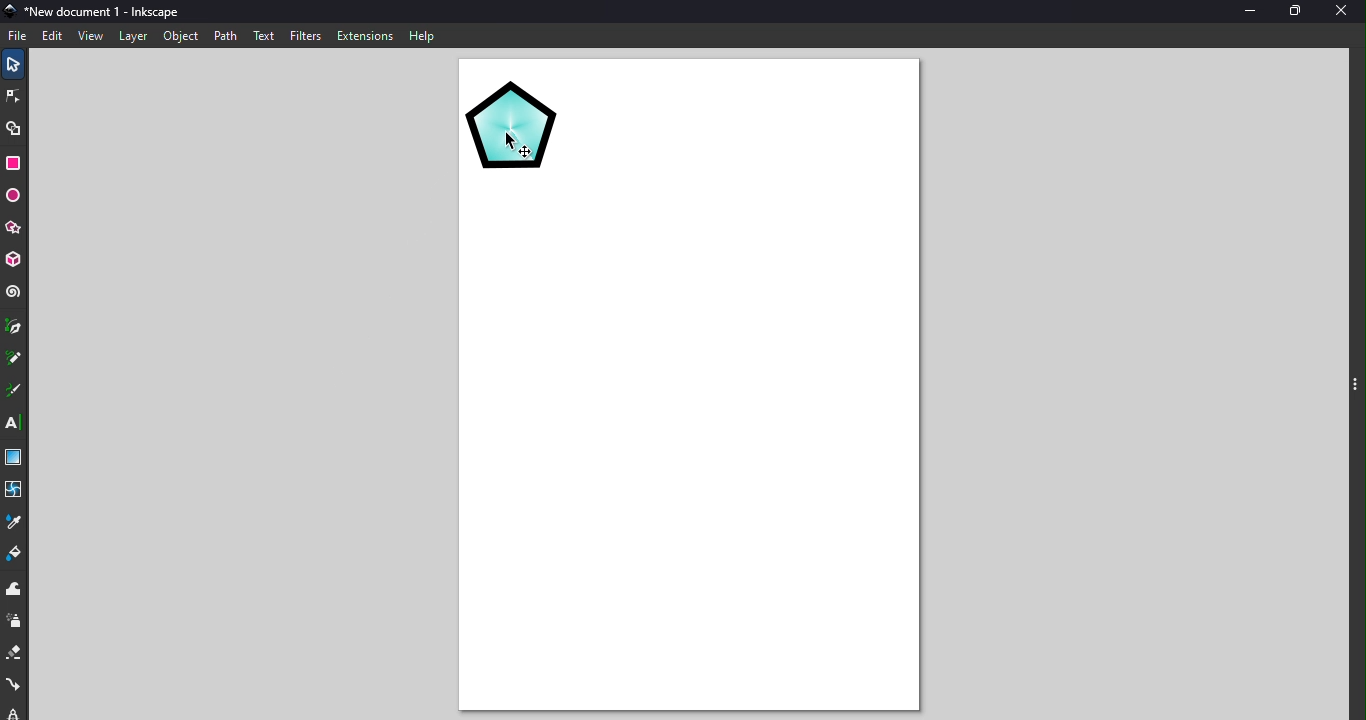 This screenshot has height=720, width=1366. I want to click on Text, so click(265, 34).